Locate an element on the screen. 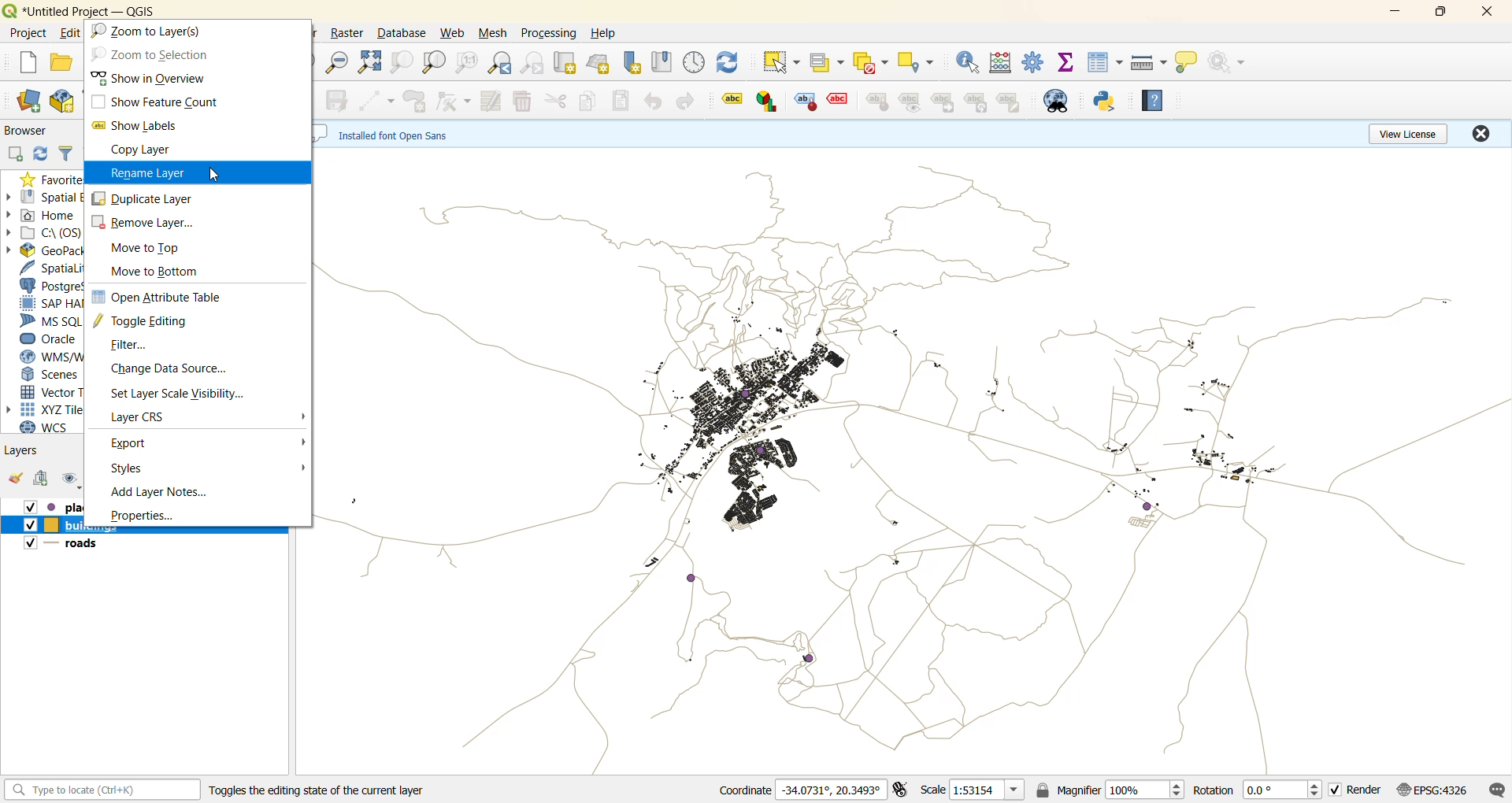  control panel is located at coordinates (695, 63).